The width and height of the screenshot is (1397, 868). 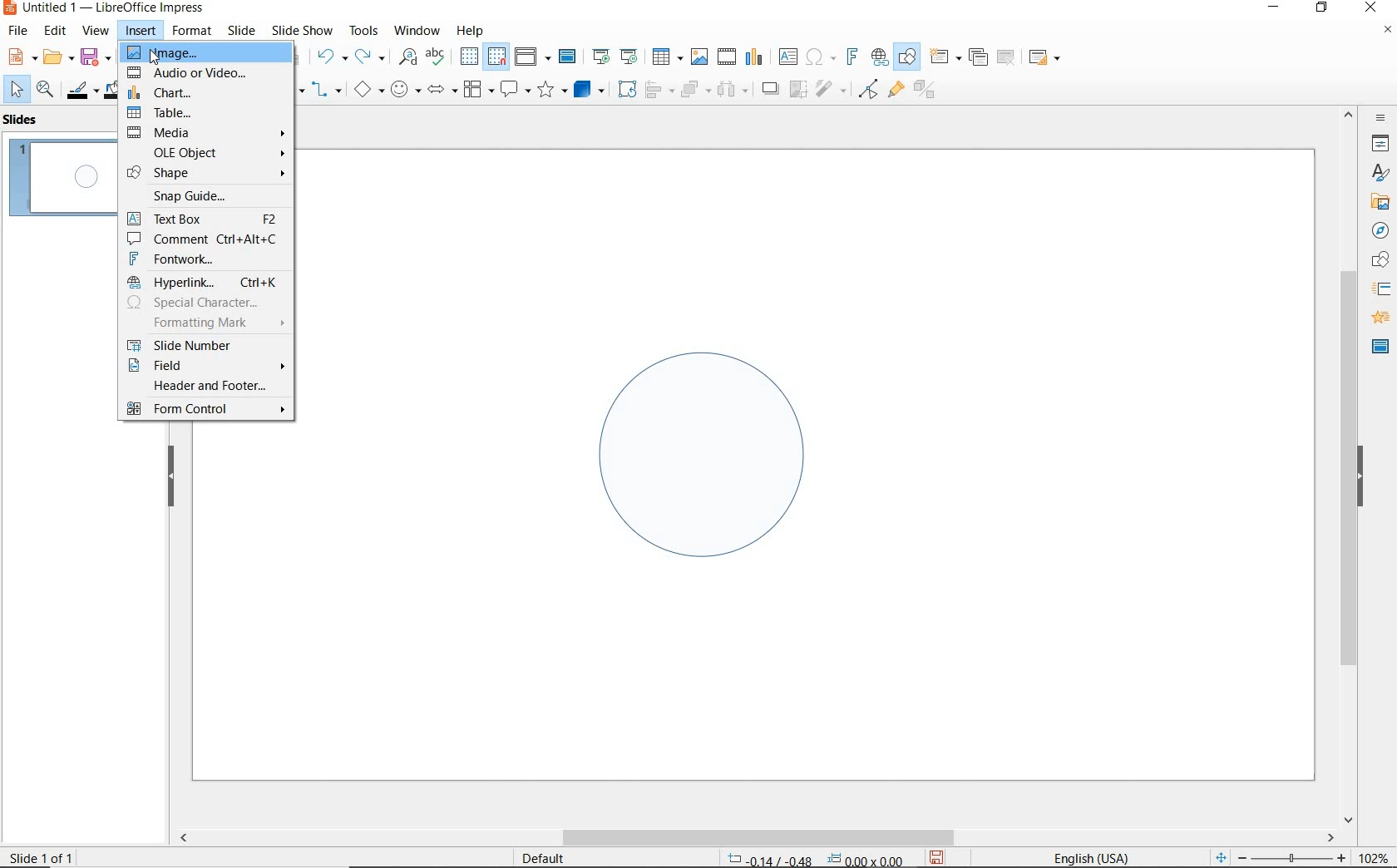 I want to click on hide, so click(x=171, y=477).